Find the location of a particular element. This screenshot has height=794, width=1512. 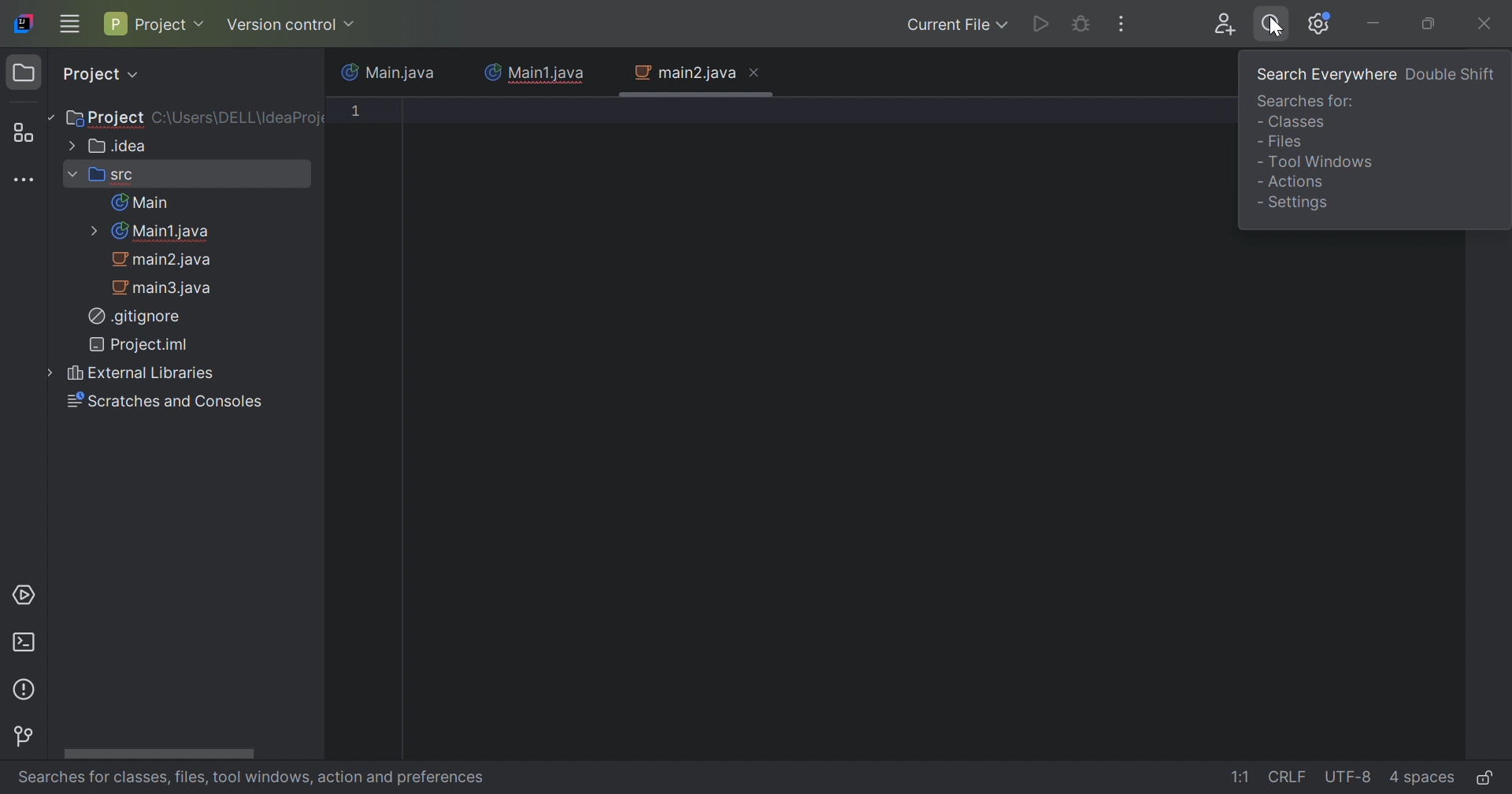

Double Shift is located at coordinates (1451, 74).